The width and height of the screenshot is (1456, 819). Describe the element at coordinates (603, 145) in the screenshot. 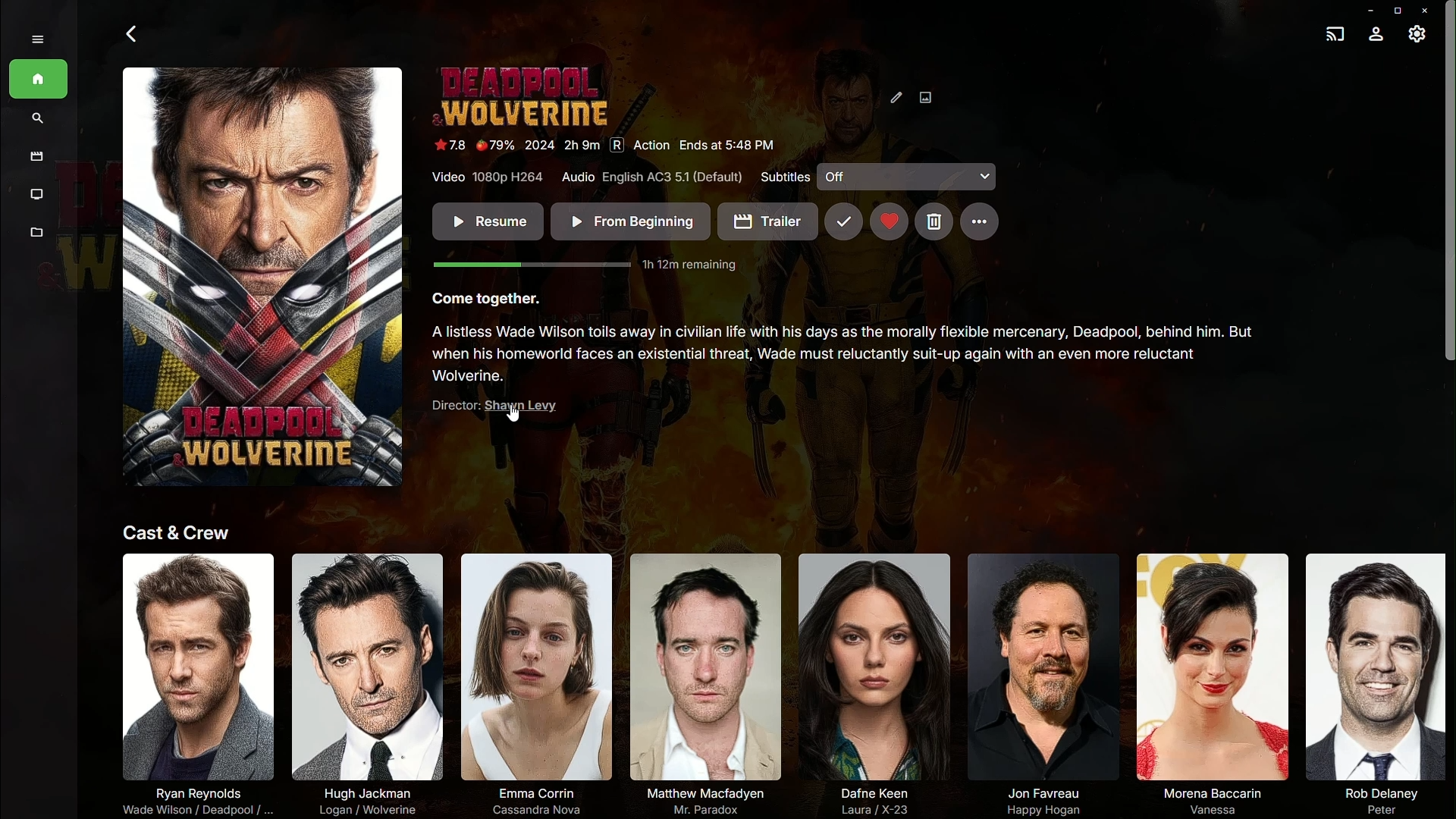

I see `Movie Details` at that location.